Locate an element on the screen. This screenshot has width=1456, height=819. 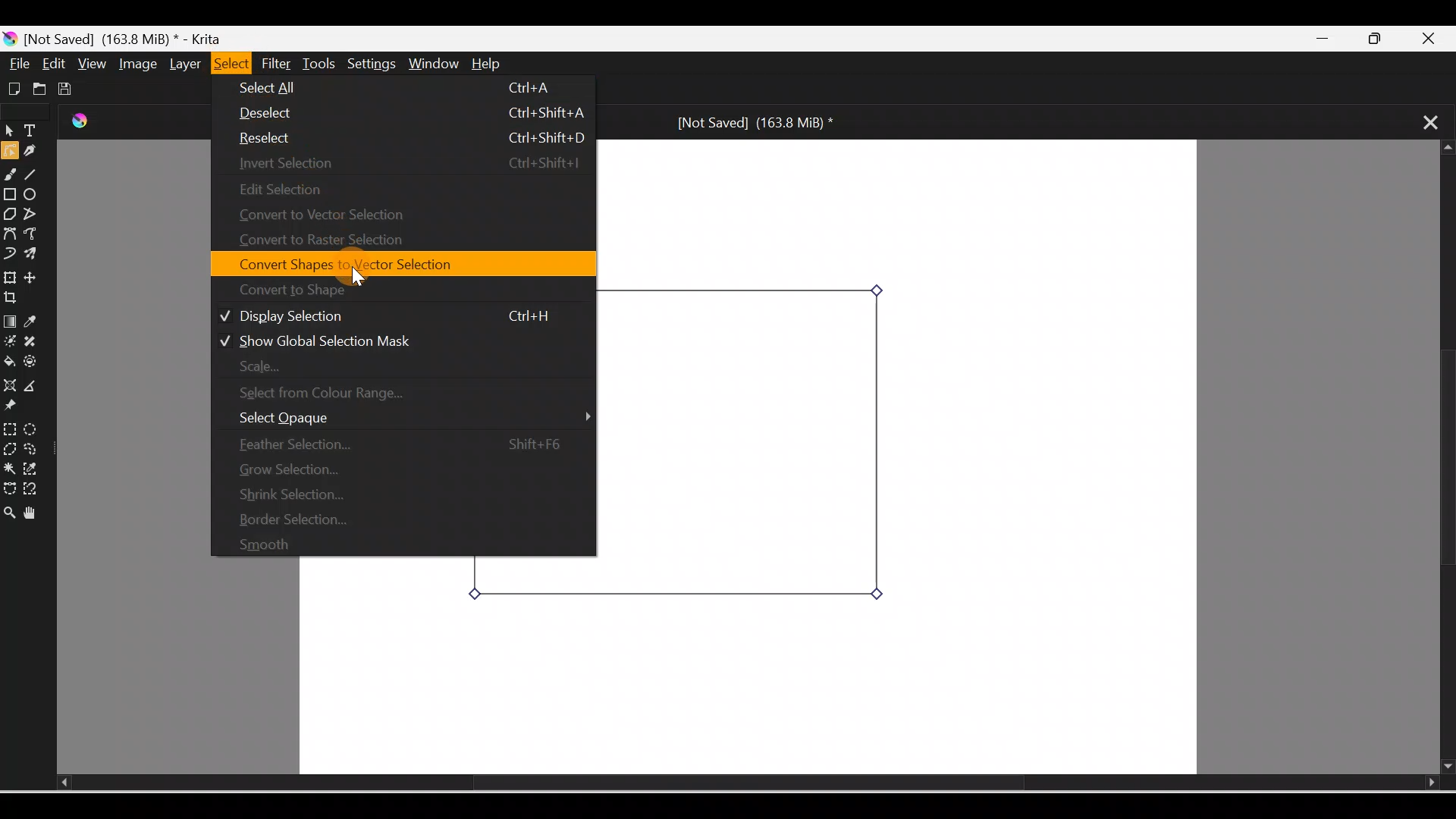
Deselect is located at coordinates (413, 114).